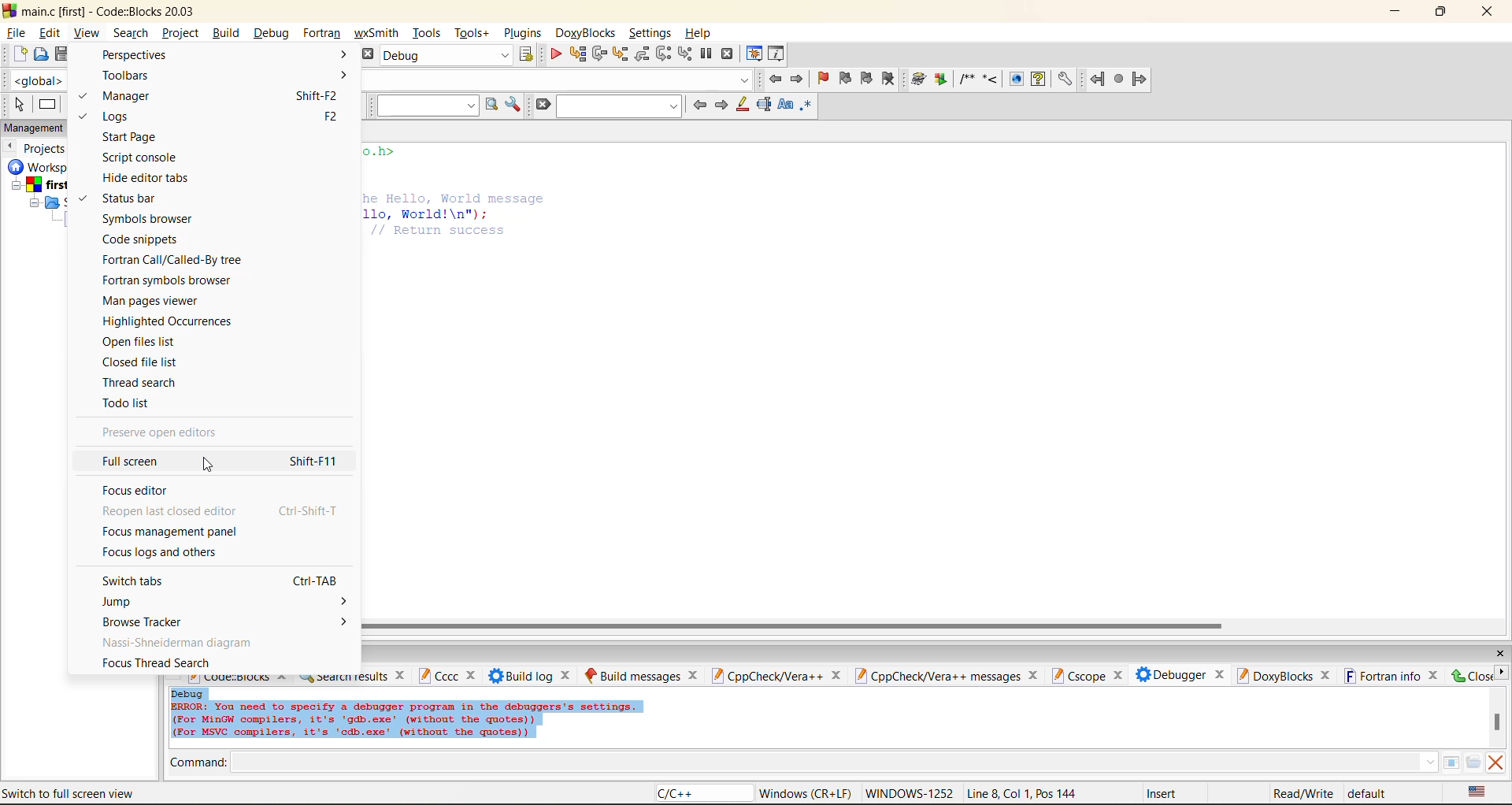 The image size is (1512, 805). Describe the element at coordinates (639, 673) in the screenshot. I see `build messages` at that location.